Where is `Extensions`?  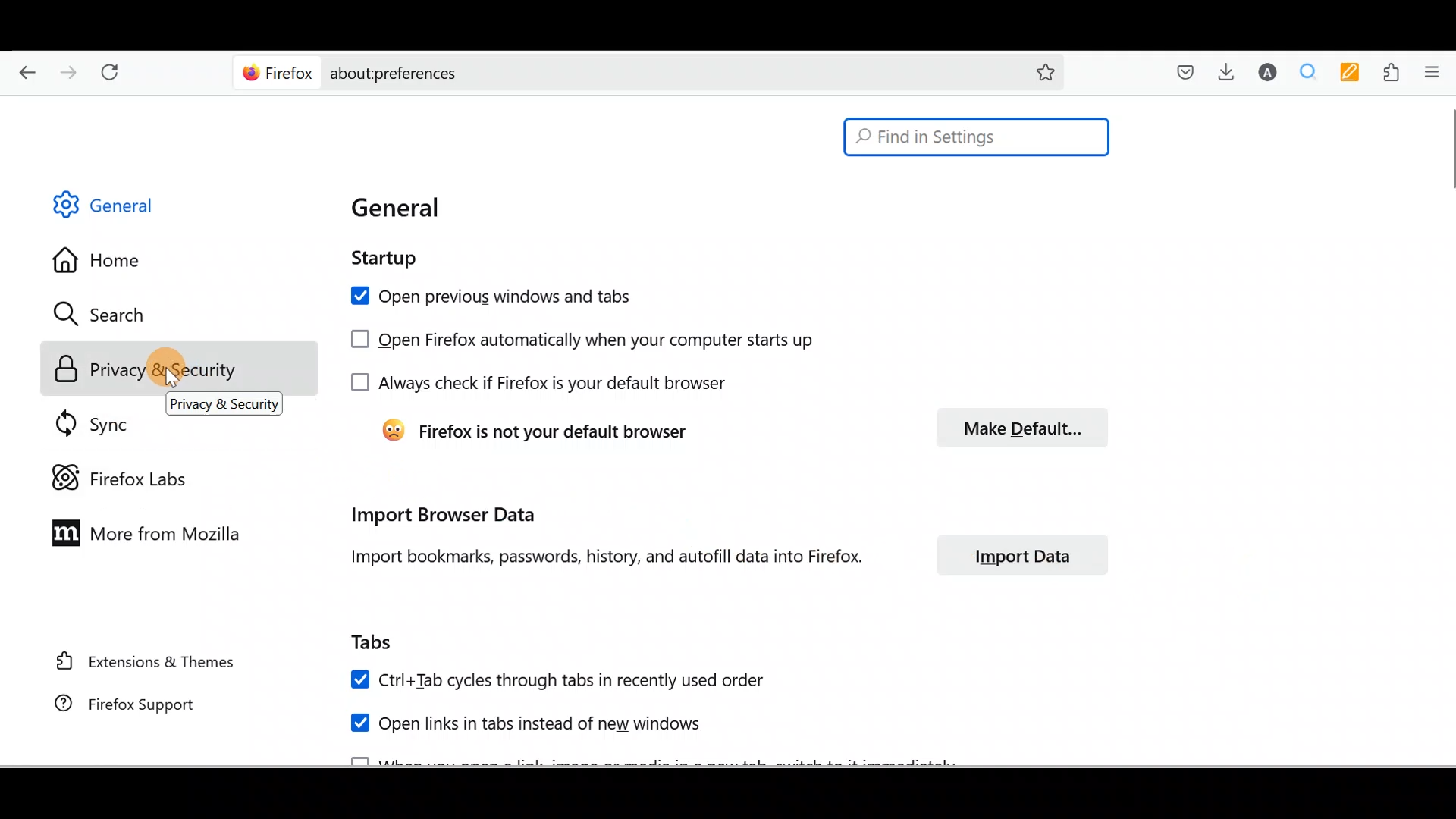 Extensions is located at coordinates (1390, 72).